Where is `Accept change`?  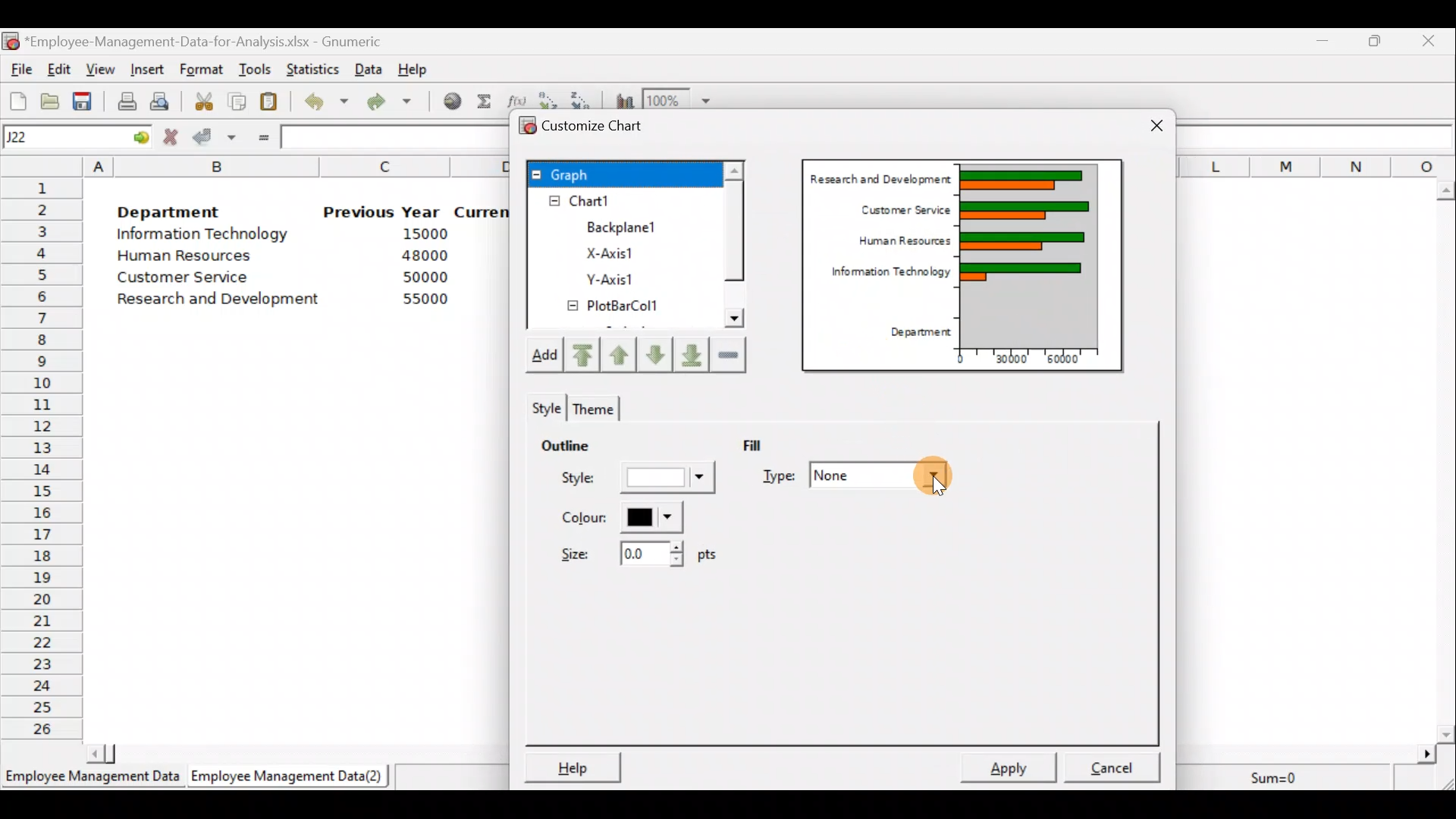
Accept change is located at coordinates (214, 139).